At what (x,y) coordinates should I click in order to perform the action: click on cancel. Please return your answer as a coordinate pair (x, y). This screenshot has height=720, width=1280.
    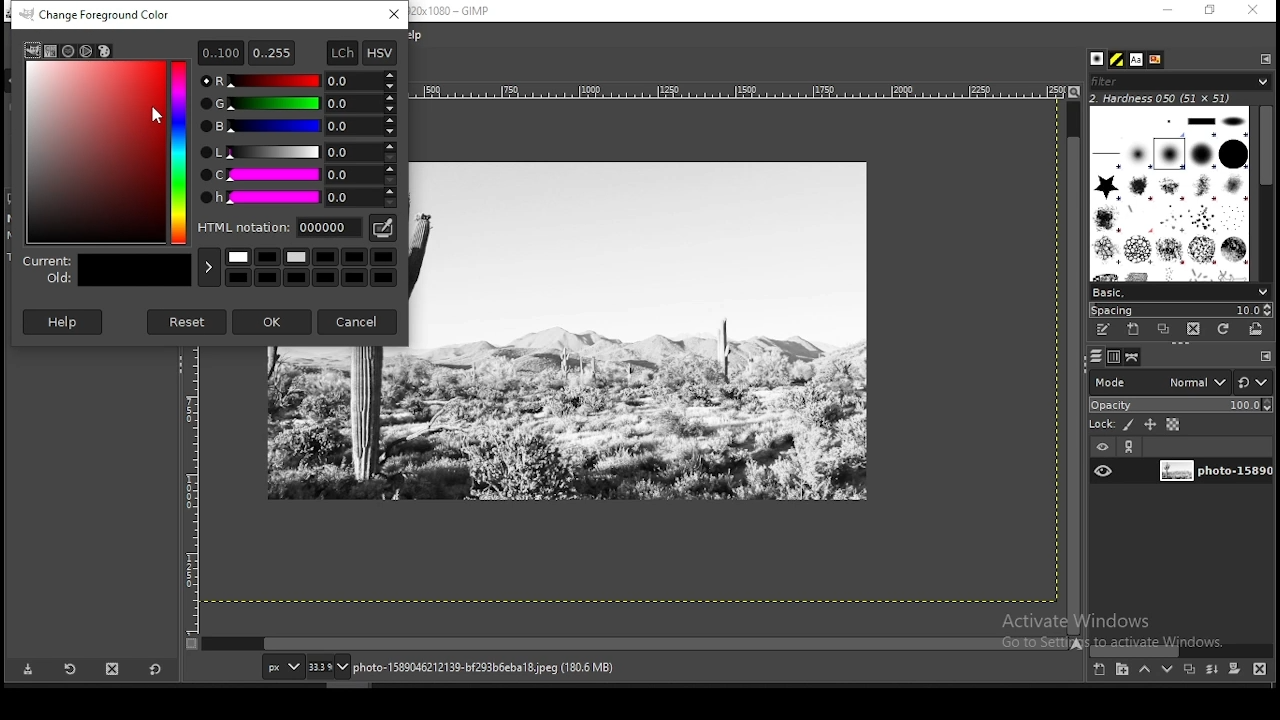
    Looking at the image, I should click on (359, 322).